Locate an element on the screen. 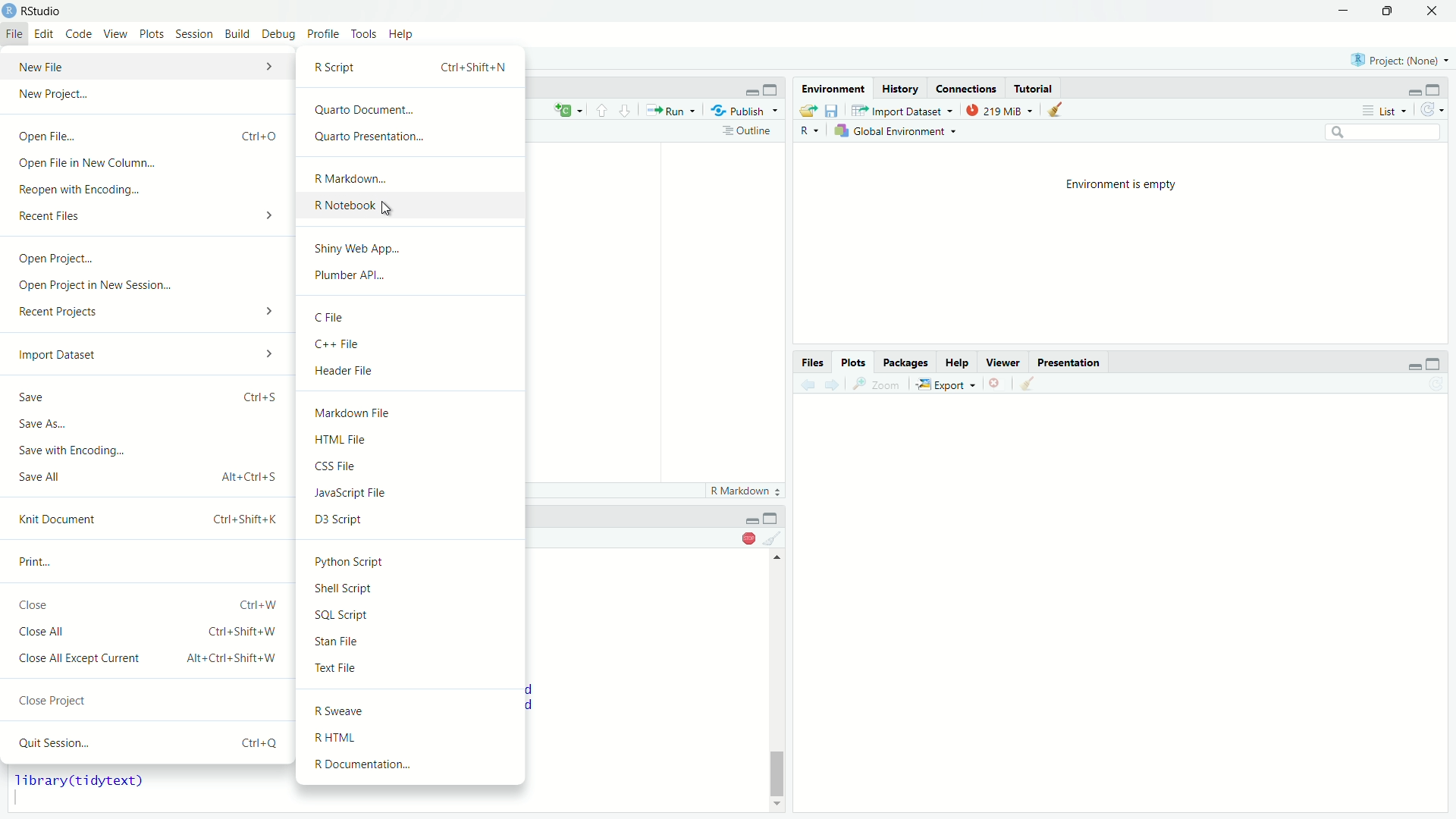 The width and height of the screenshot is (1456, 819). Save is located at coordinates (149, 394).